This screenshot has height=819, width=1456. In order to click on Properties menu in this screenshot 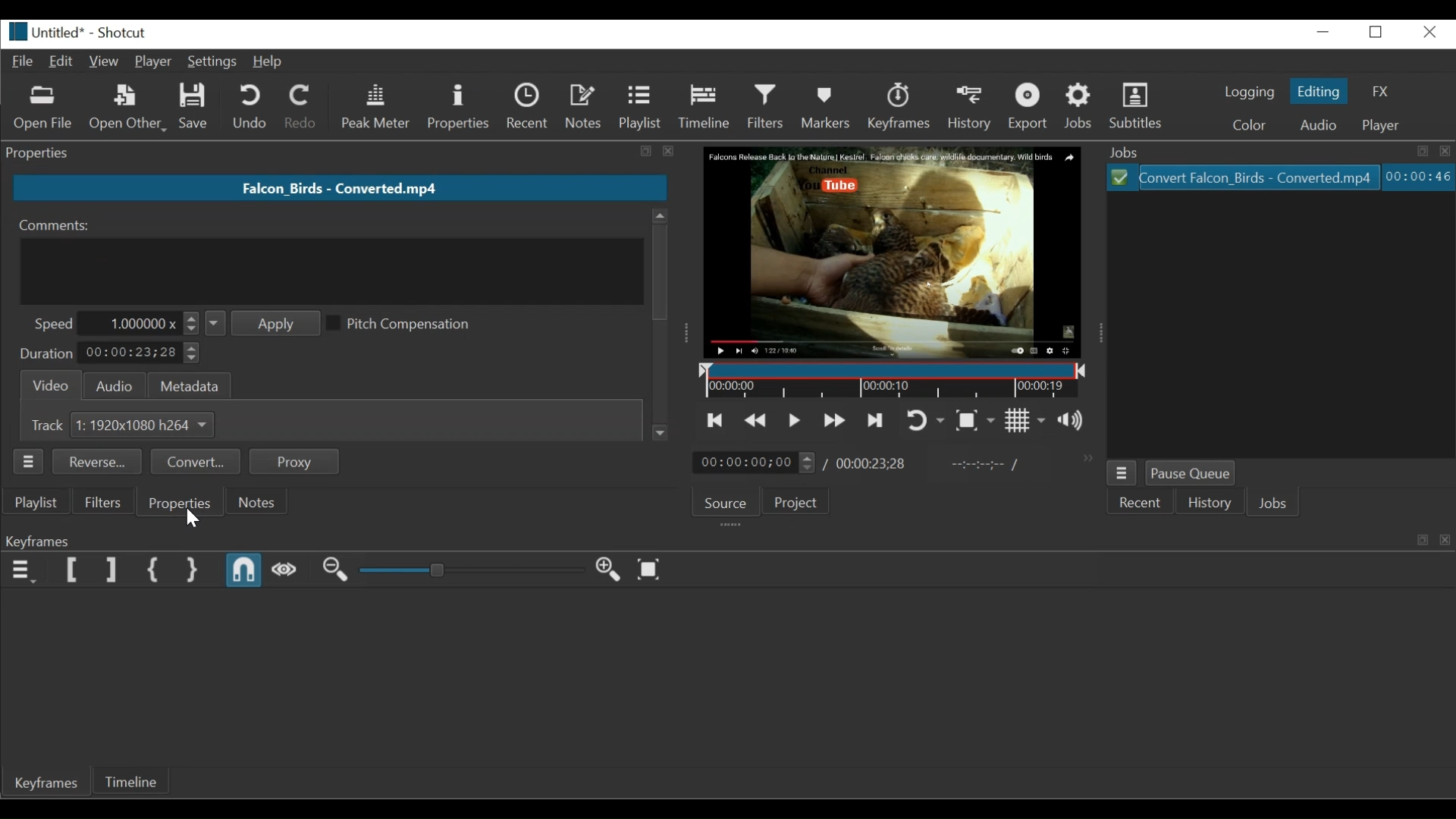, I will do `click(28, 462)`.